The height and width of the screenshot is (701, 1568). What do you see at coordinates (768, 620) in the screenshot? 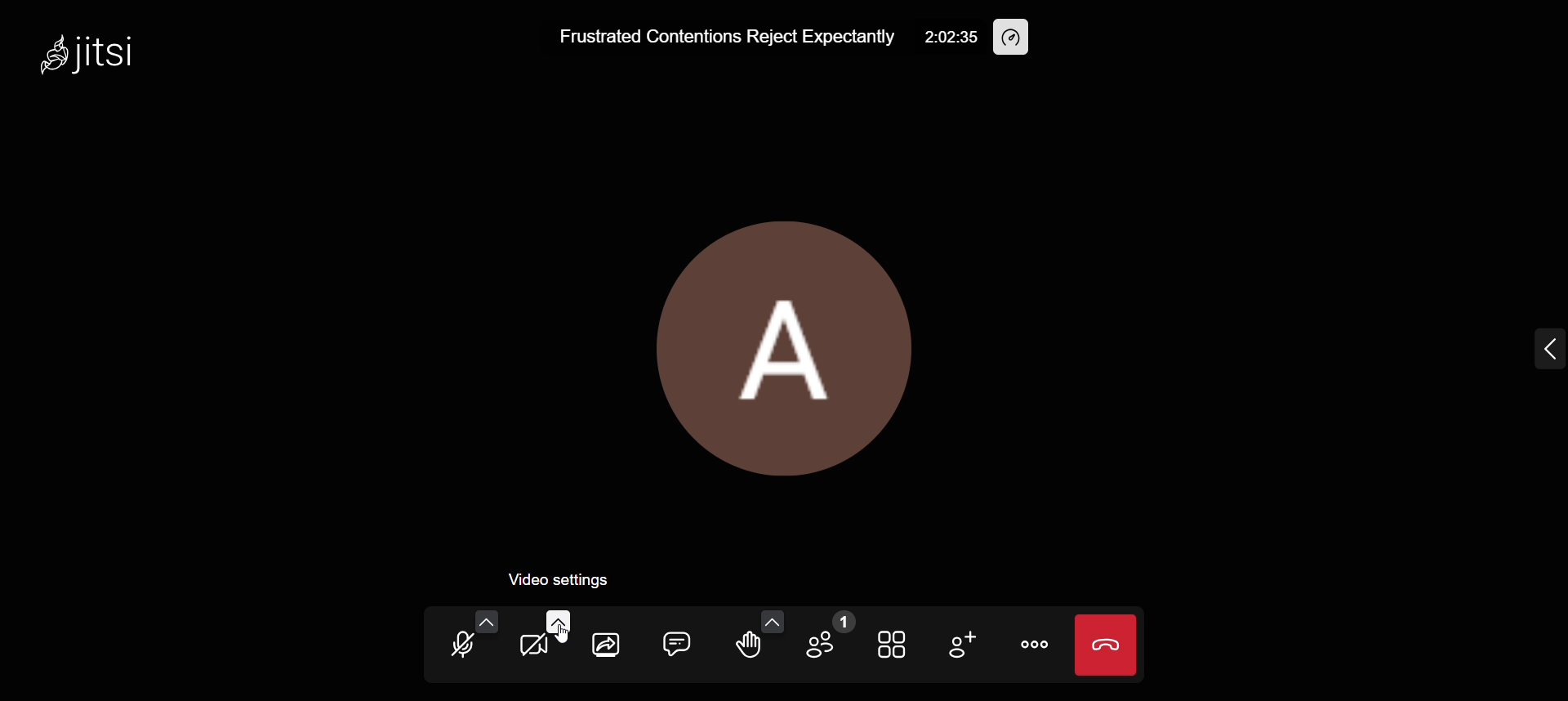
I see `more reaction` at bounding box center [768, 620].